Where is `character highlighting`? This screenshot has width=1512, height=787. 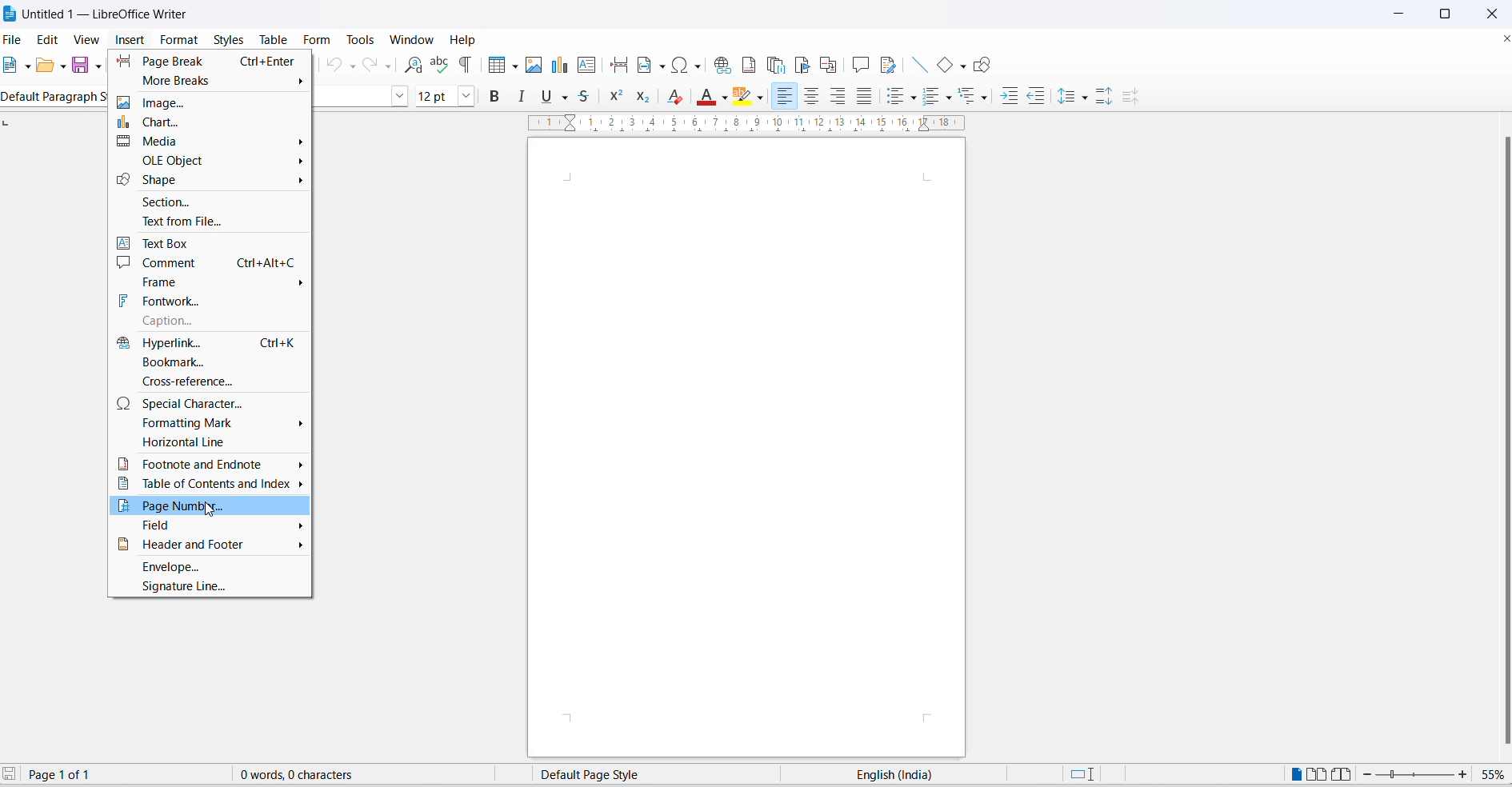 character highlighting is located at coordinates (744, 98).